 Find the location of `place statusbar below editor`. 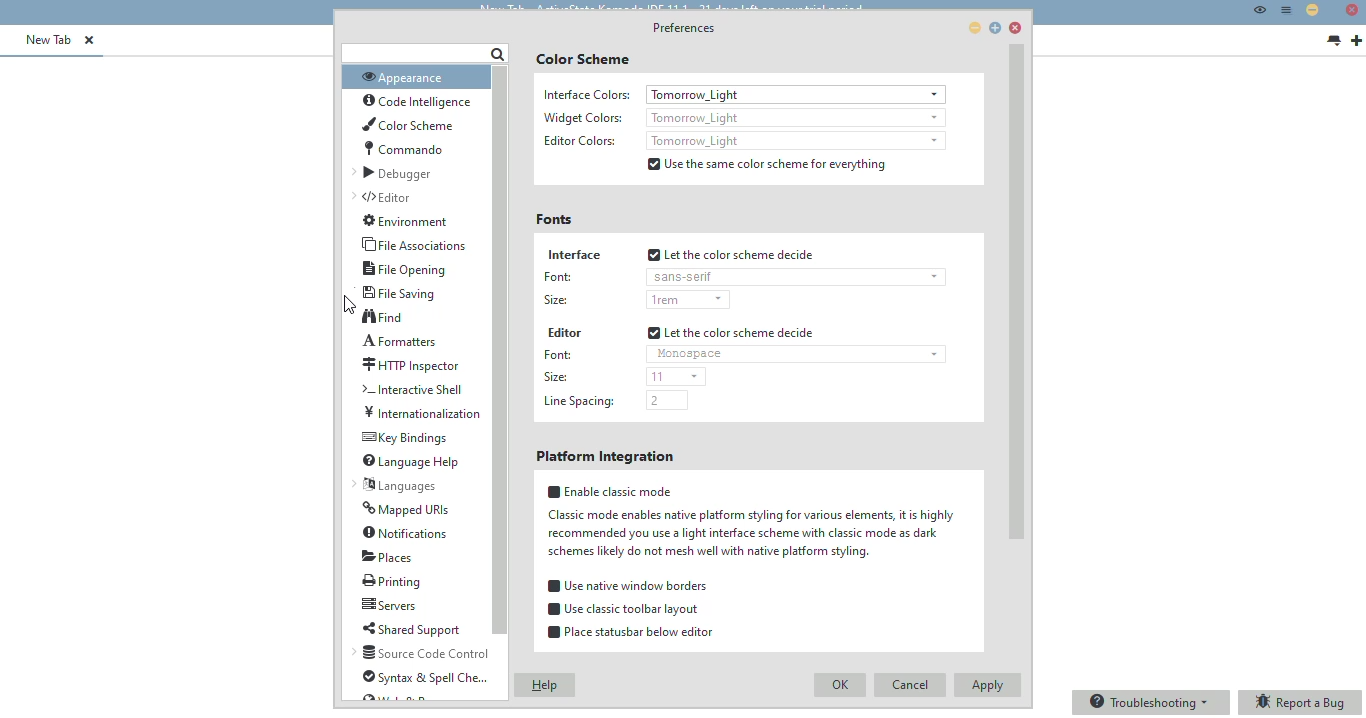

place statusbar below editor is located at coordinates (630, 632).